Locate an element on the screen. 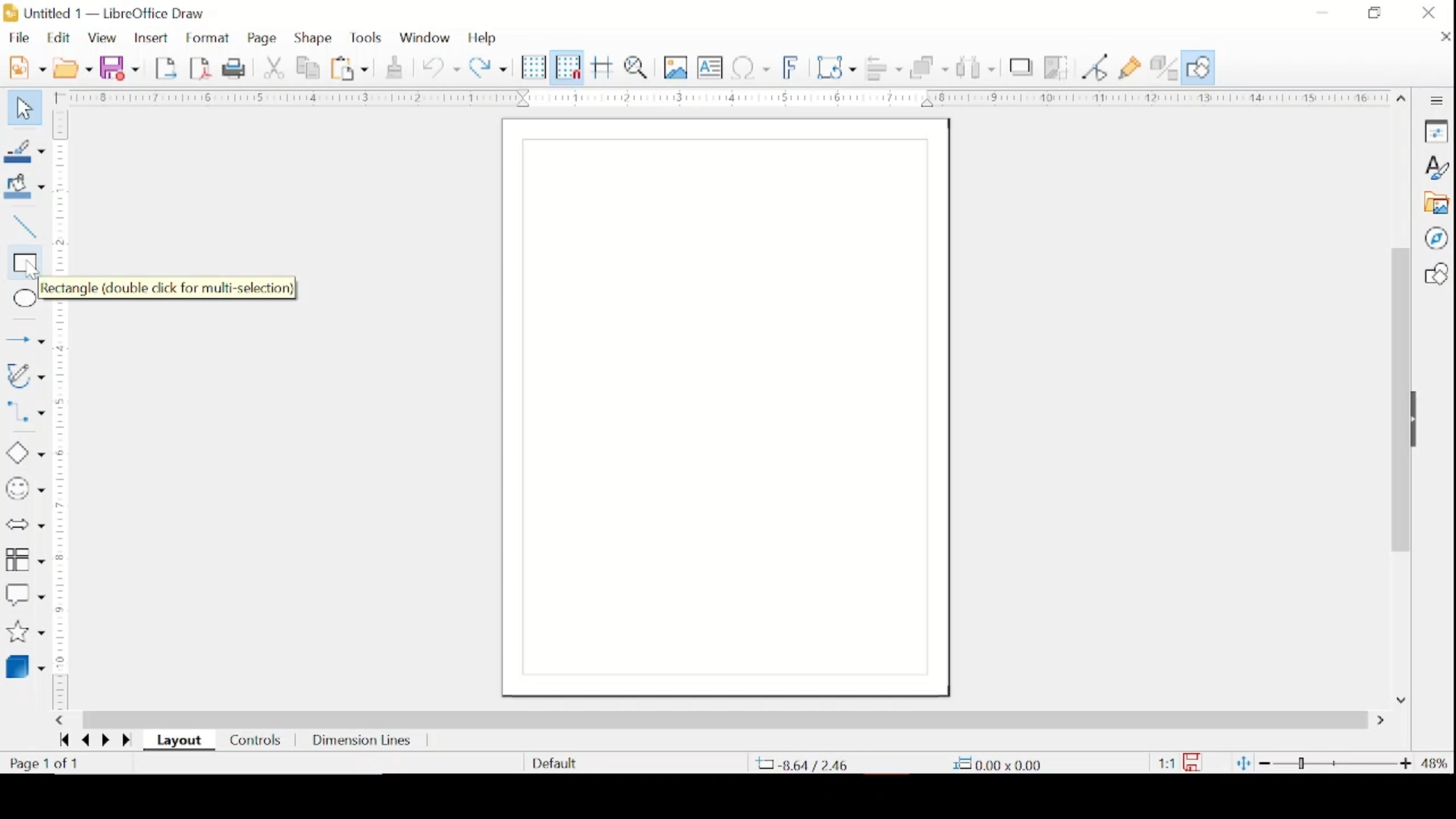 This screenshot has height=819, width=1456. paste options is located at coordinates (350, 69).